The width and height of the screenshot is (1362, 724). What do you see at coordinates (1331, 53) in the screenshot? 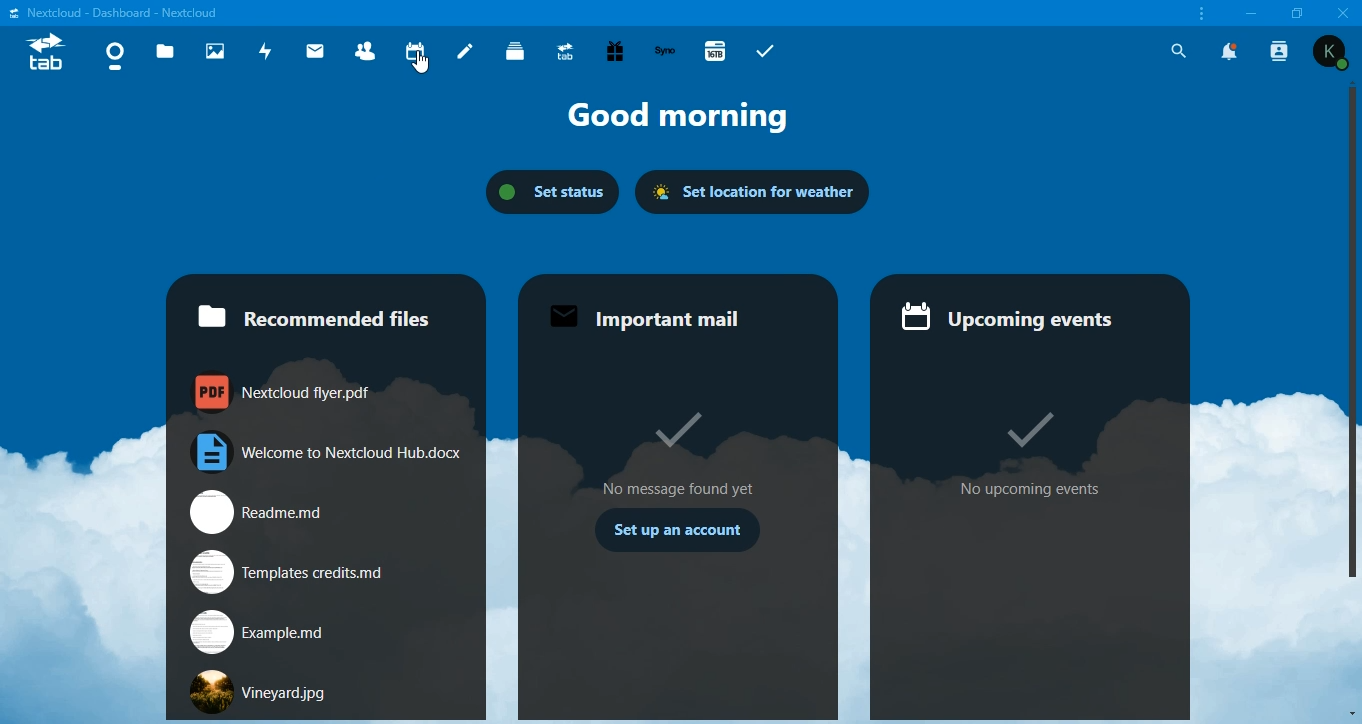
I see `` at bounding box center [1331, 53].